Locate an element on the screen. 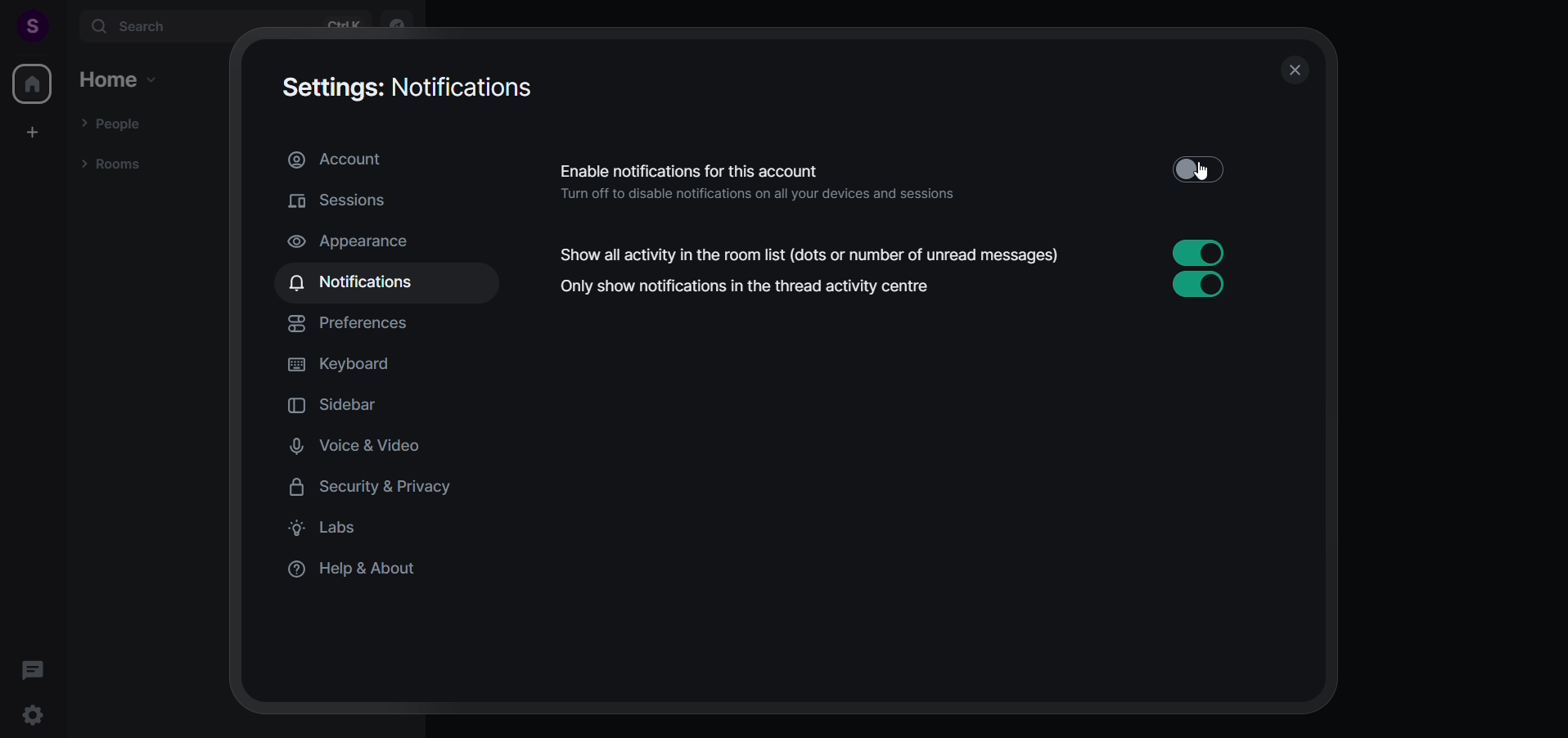 The image size is (1568, 738). home is located at coordinates (32, 83).